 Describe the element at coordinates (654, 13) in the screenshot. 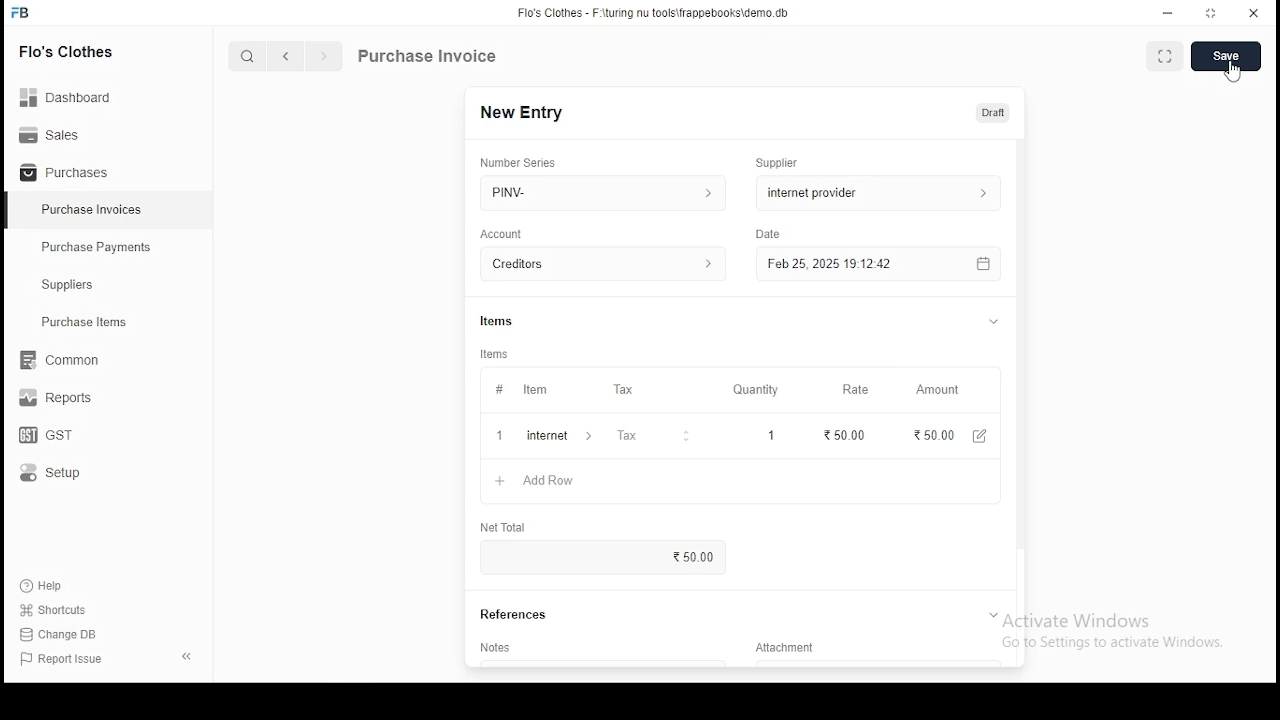

I see `flo's clothes - F:\turing nu tools\frappebooks\demo.db` at that location.